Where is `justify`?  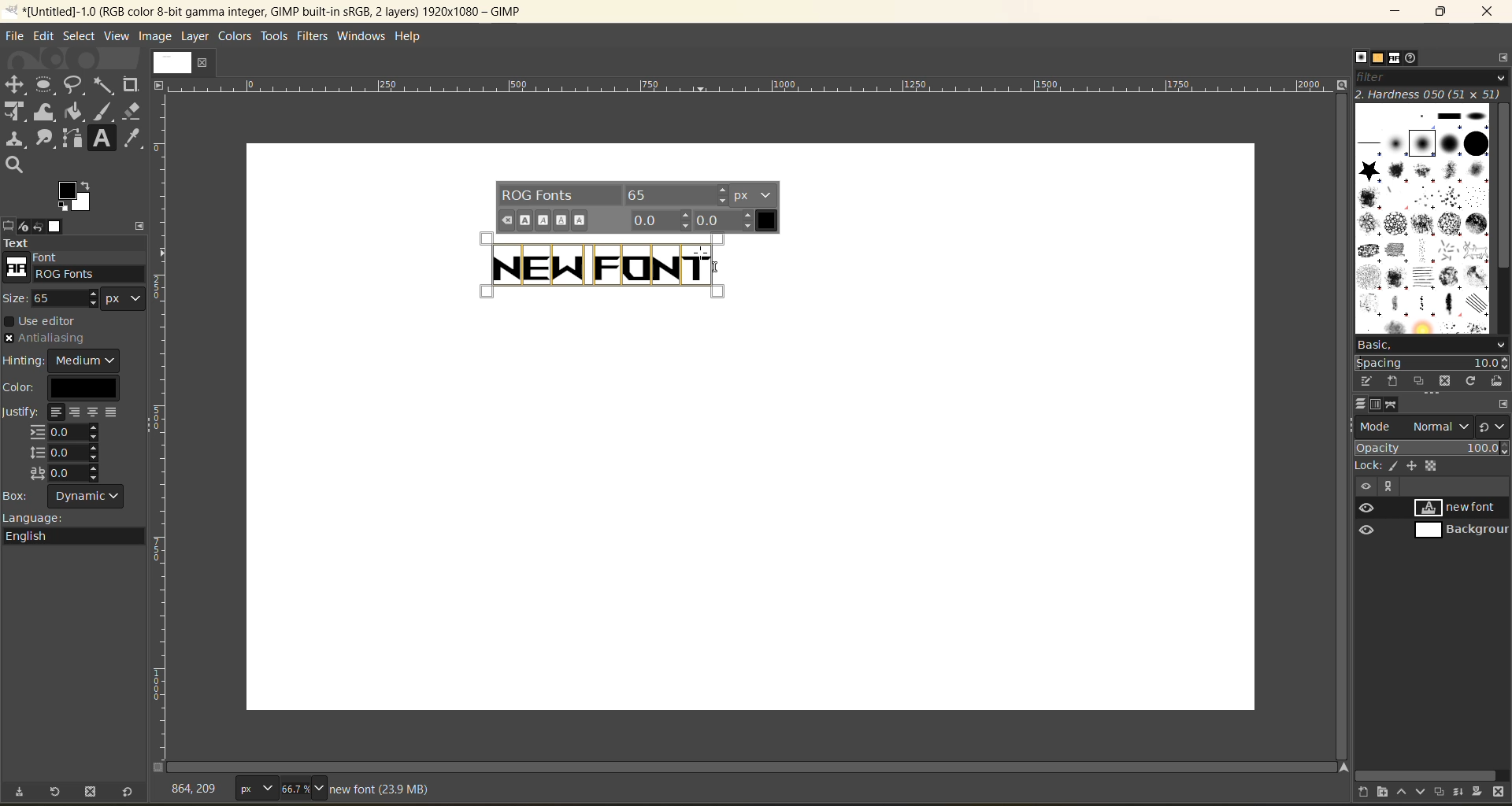
justify is located at coordinates (65, 441).